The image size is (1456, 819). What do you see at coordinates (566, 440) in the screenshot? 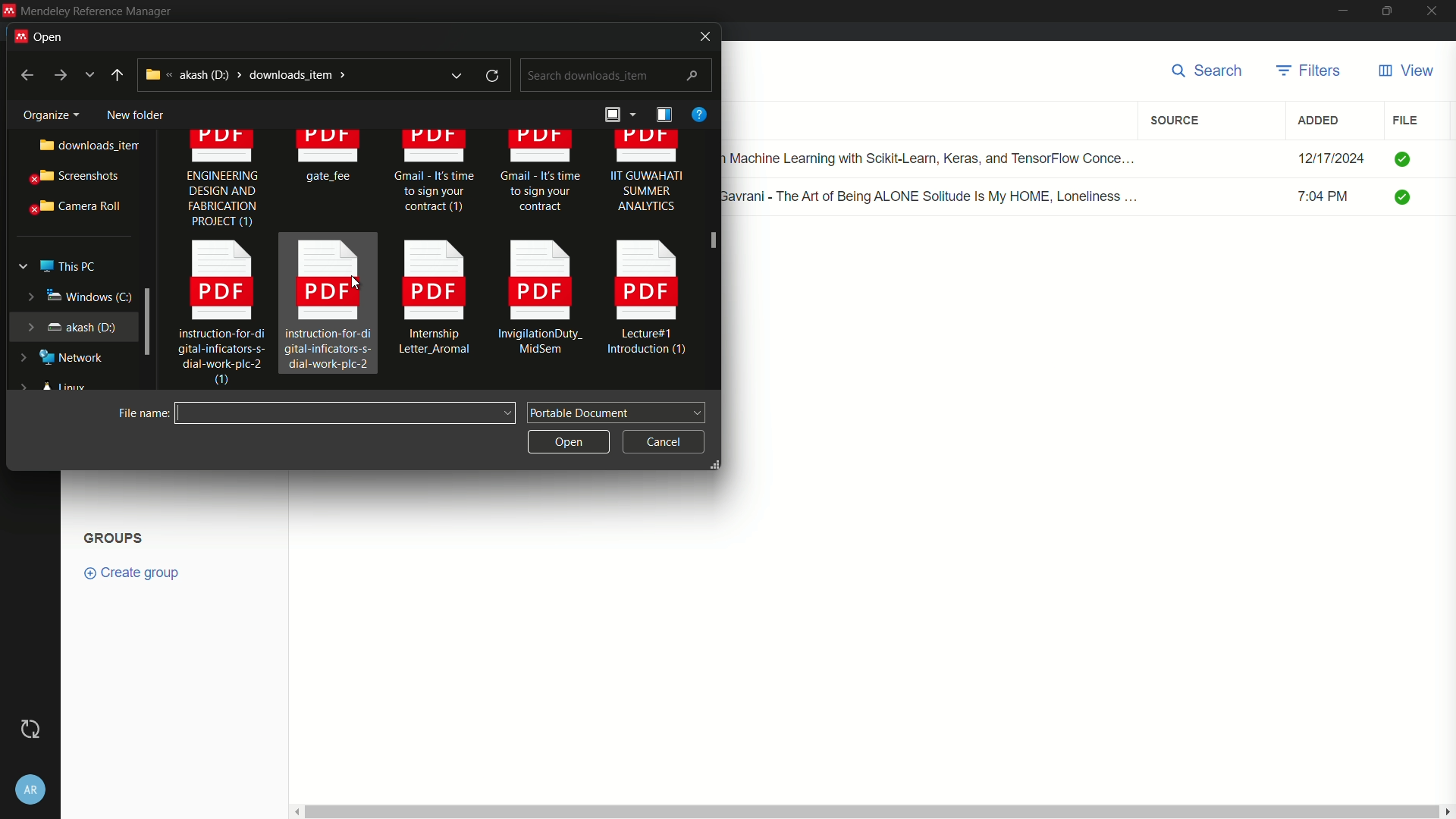
I see `open` at bounding box center [566, 440].